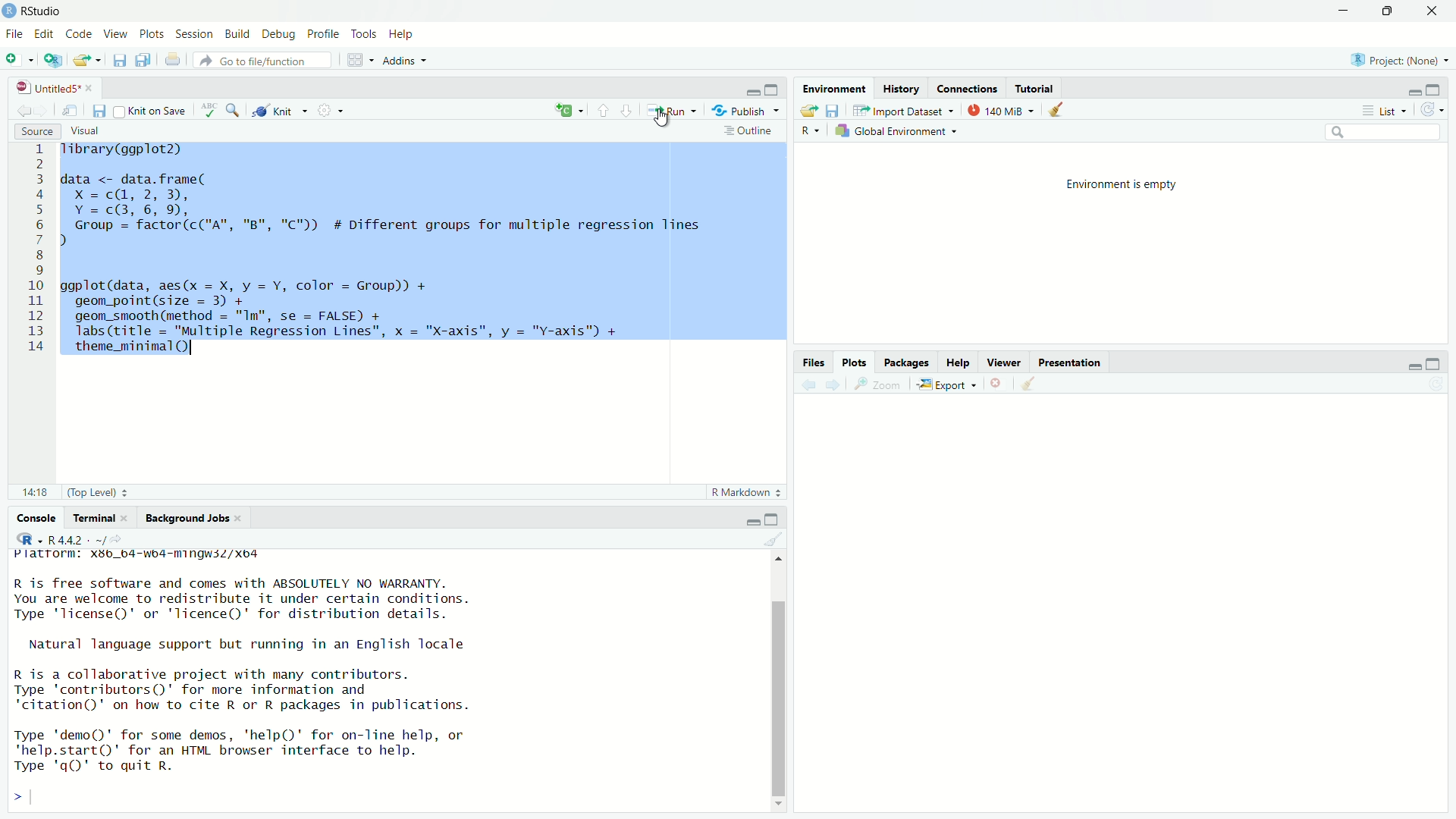 The height and width of the screenshot is (819, 1456). What do you see at coordinates (194, 33) in the screenshot?
I see `Session` at bounding box center [194, 33].